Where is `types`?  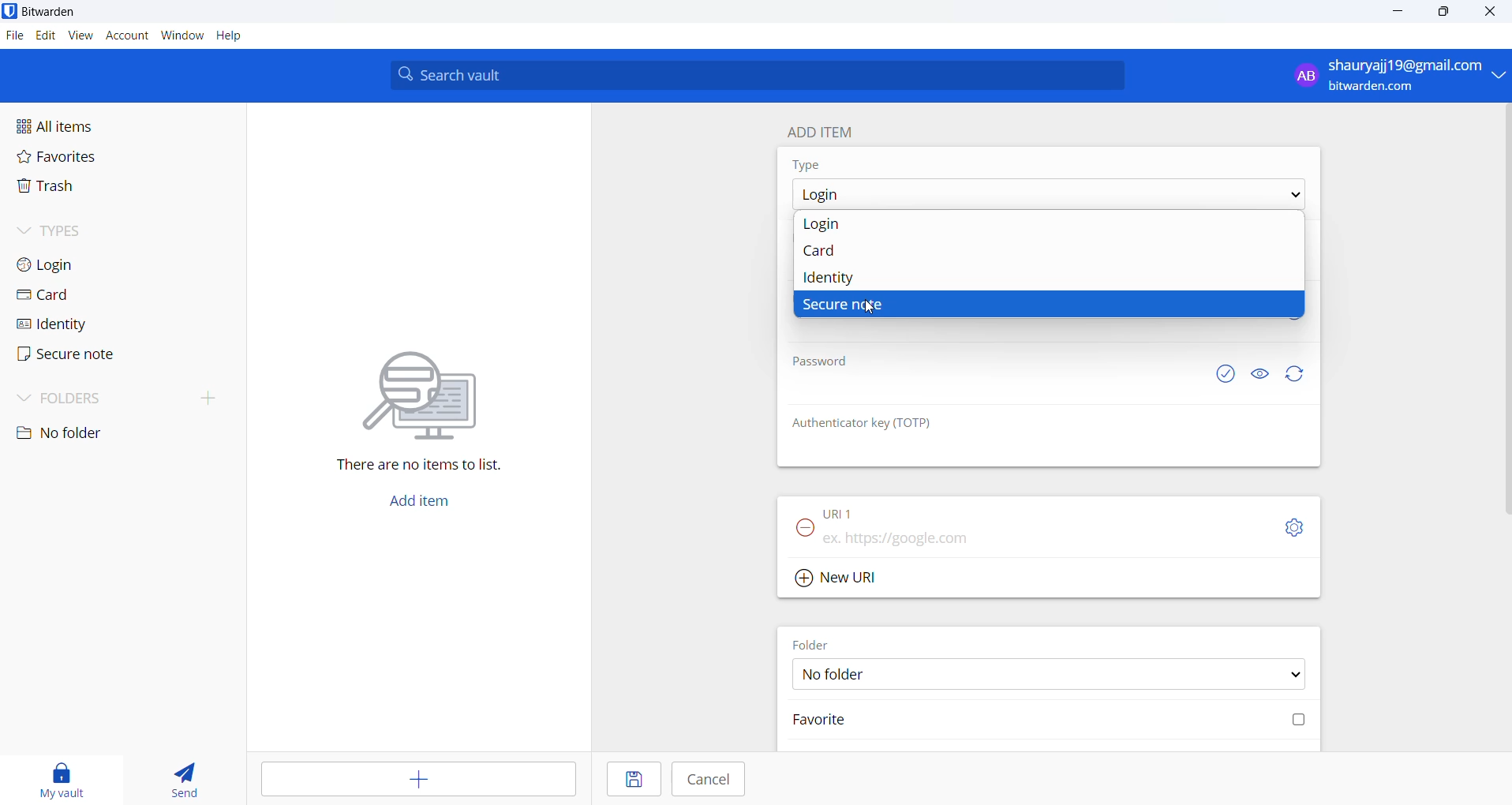
types is located at coordinates (75, 230).